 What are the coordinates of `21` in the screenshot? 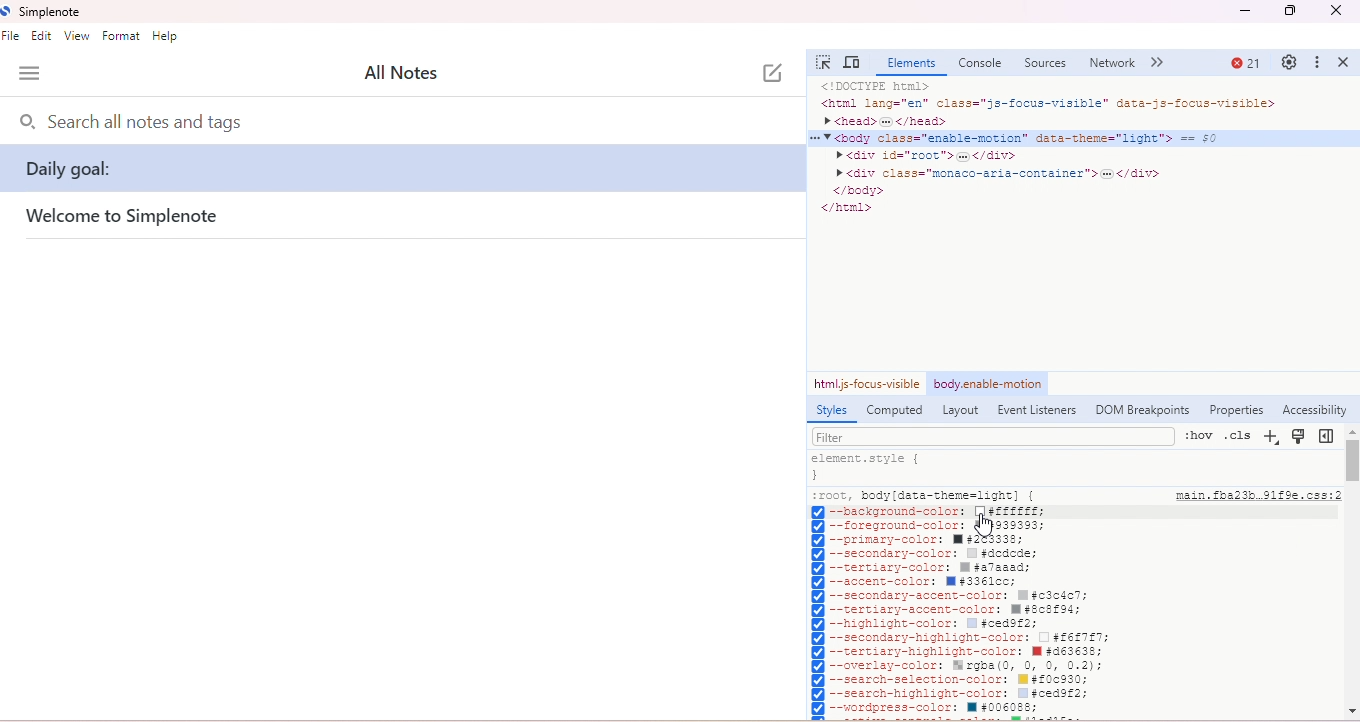 It's located at (1245, 64).